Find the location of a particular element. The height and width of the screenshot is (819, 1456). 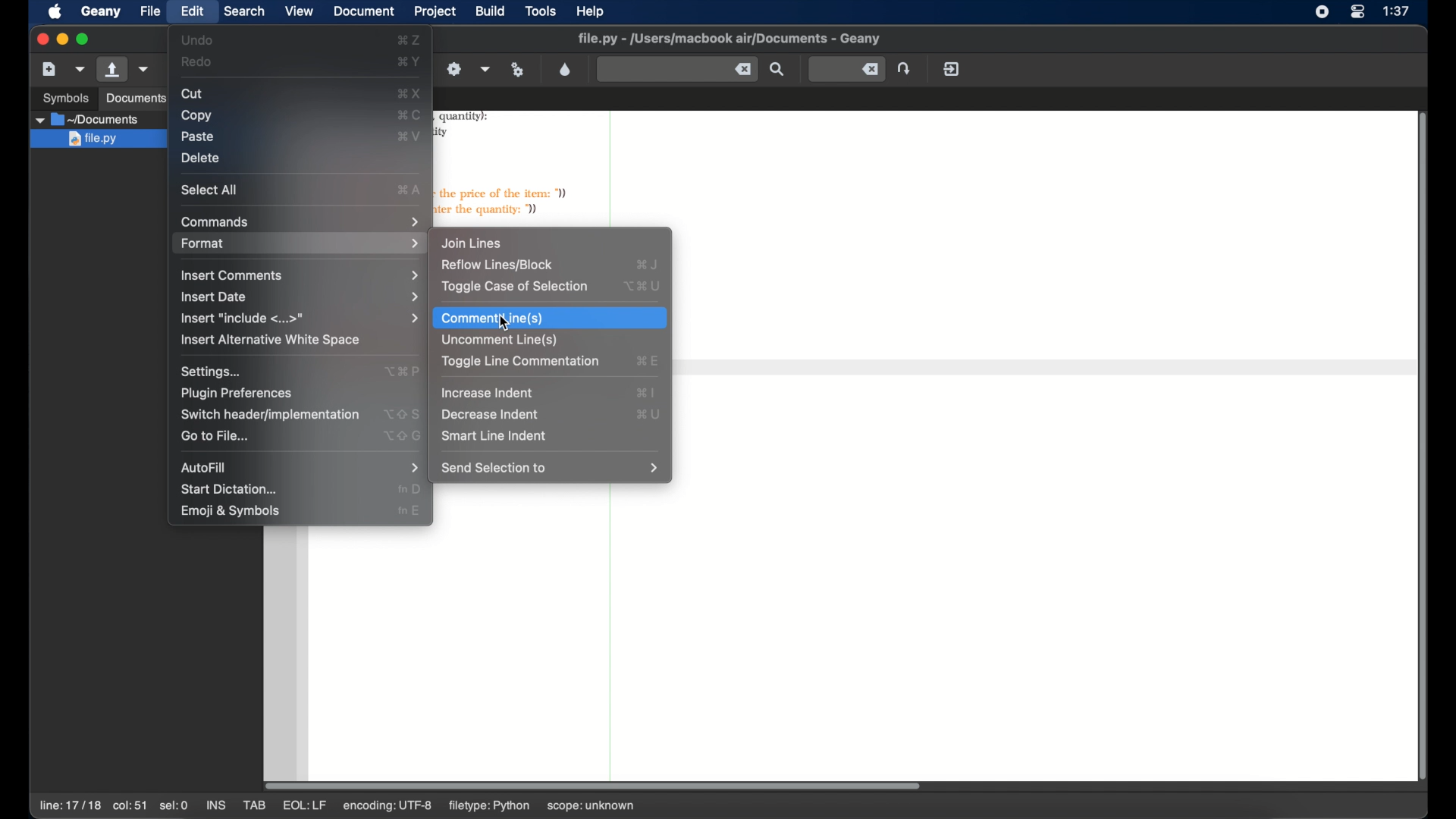

decrease indent shortcut is located at coordinates (649, 414).